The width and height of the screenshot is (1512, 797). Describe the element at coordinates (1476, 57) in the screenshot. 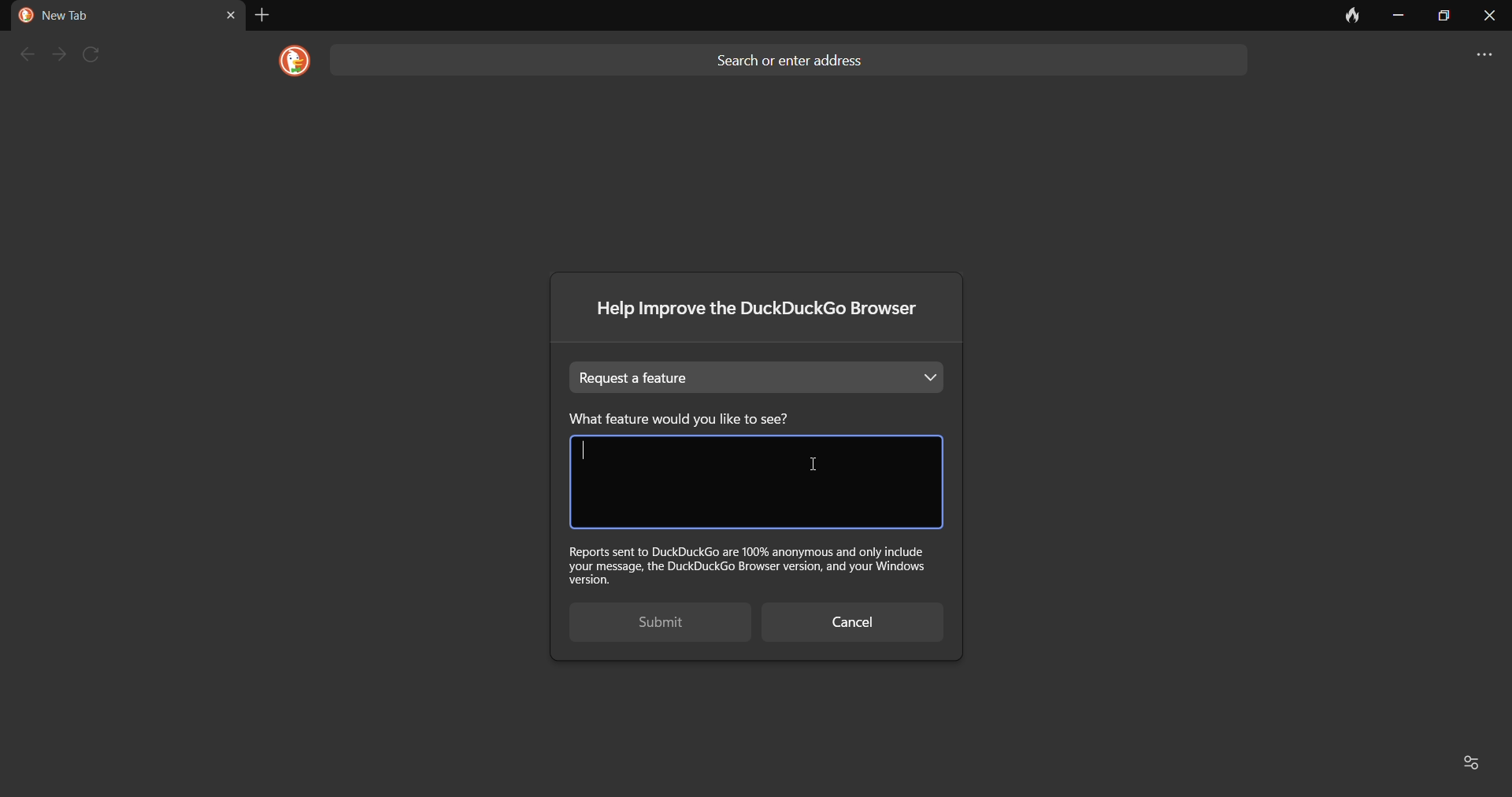

I see `more` at that location.